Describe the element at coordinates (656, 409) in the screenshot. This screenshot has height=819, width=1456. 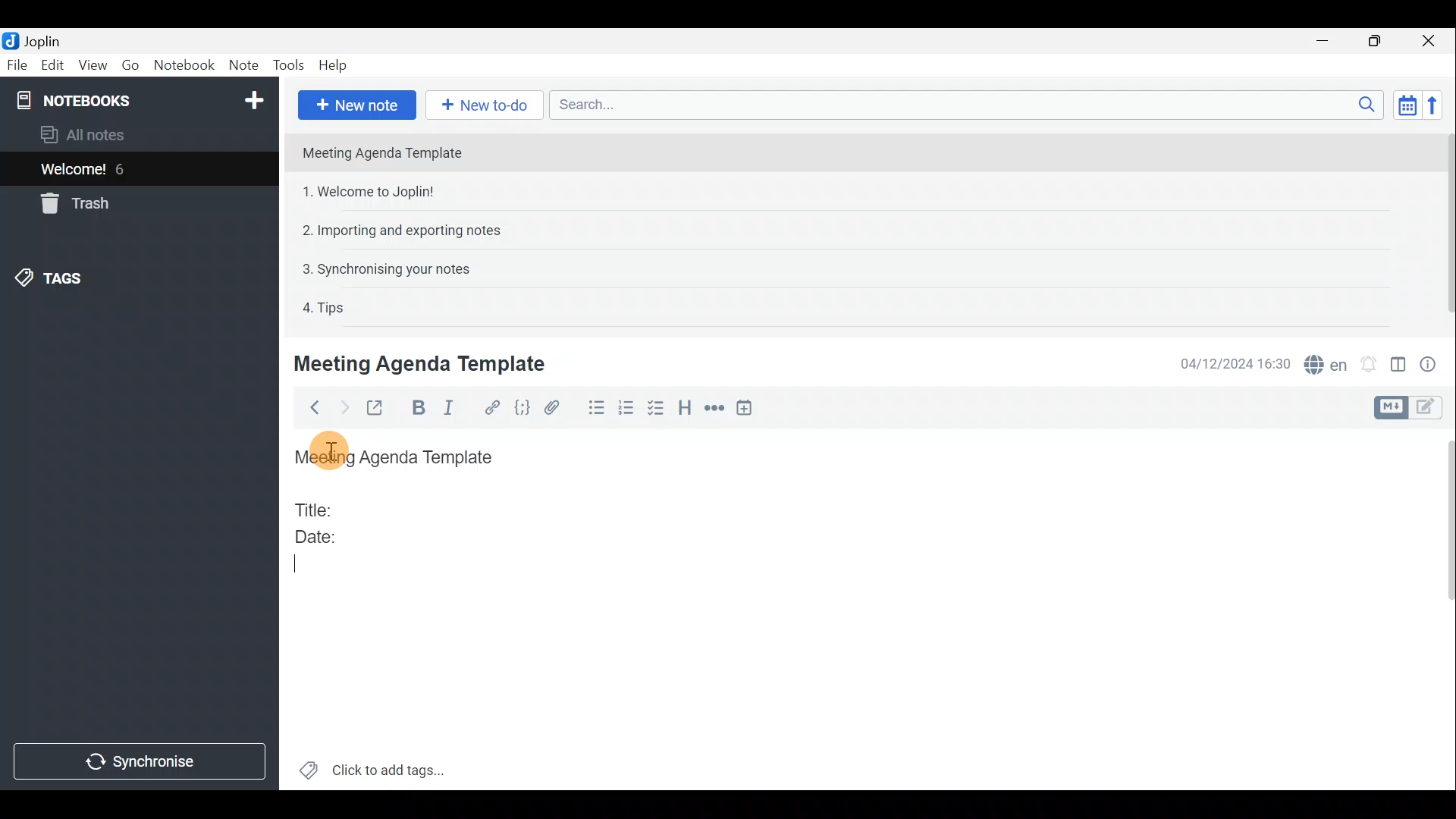
I see `Checkbox` at that location.